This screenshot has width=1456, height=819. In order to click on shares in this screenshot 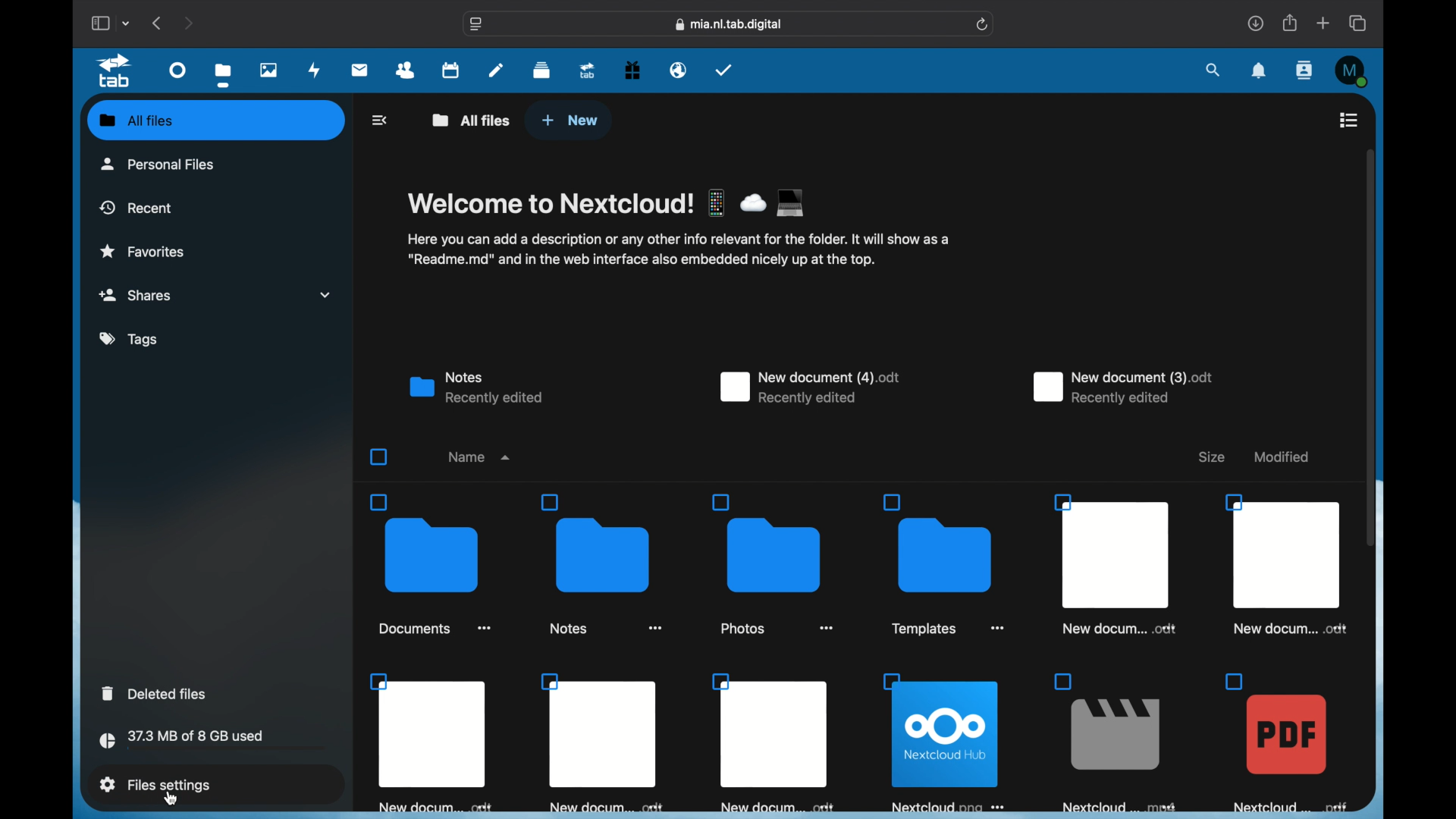, I will do `click(215, 294)`.